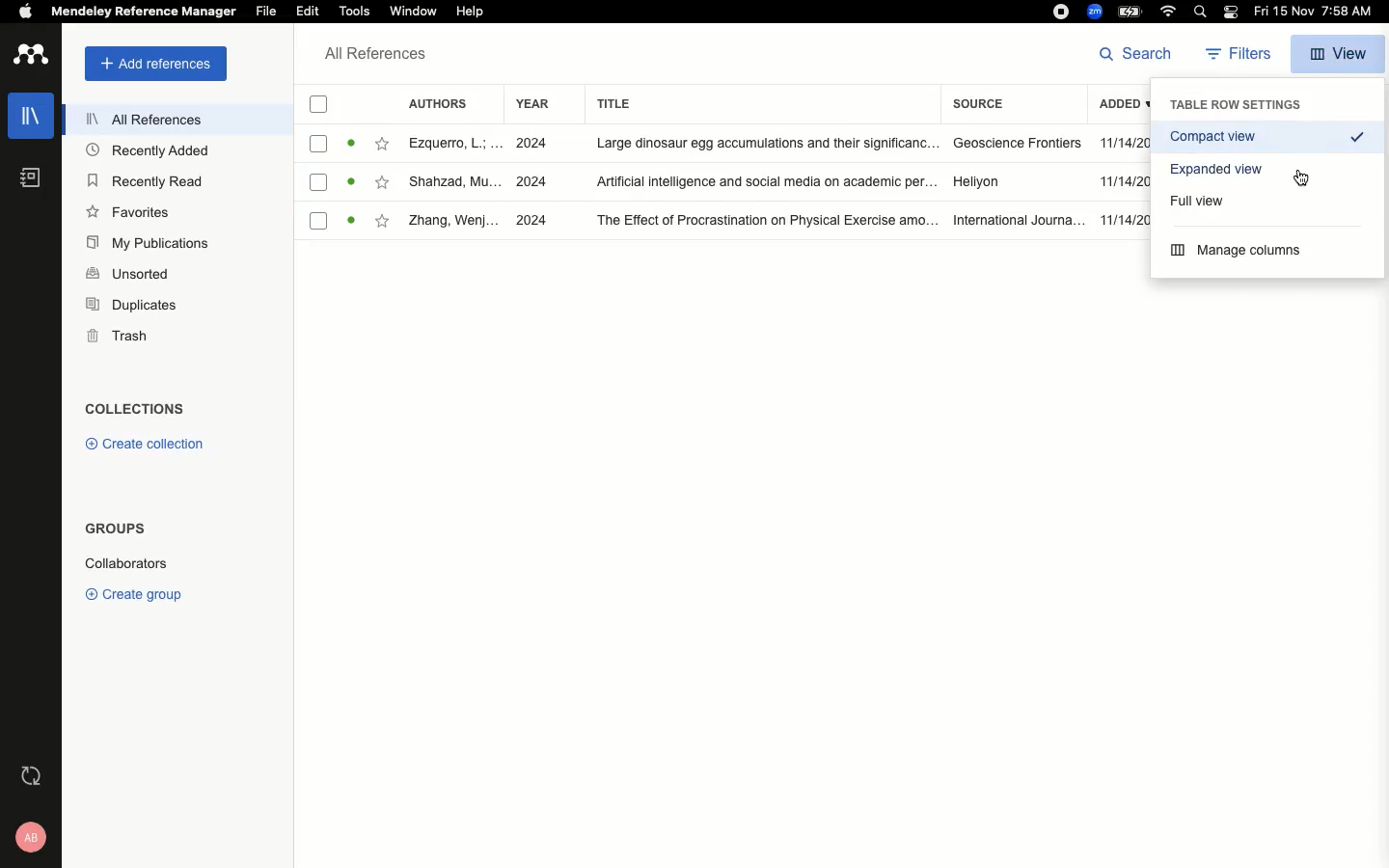  What do you see at coordinates (353, 182) in the screenshot?
I see `Active` at bounding box center [353, 182].